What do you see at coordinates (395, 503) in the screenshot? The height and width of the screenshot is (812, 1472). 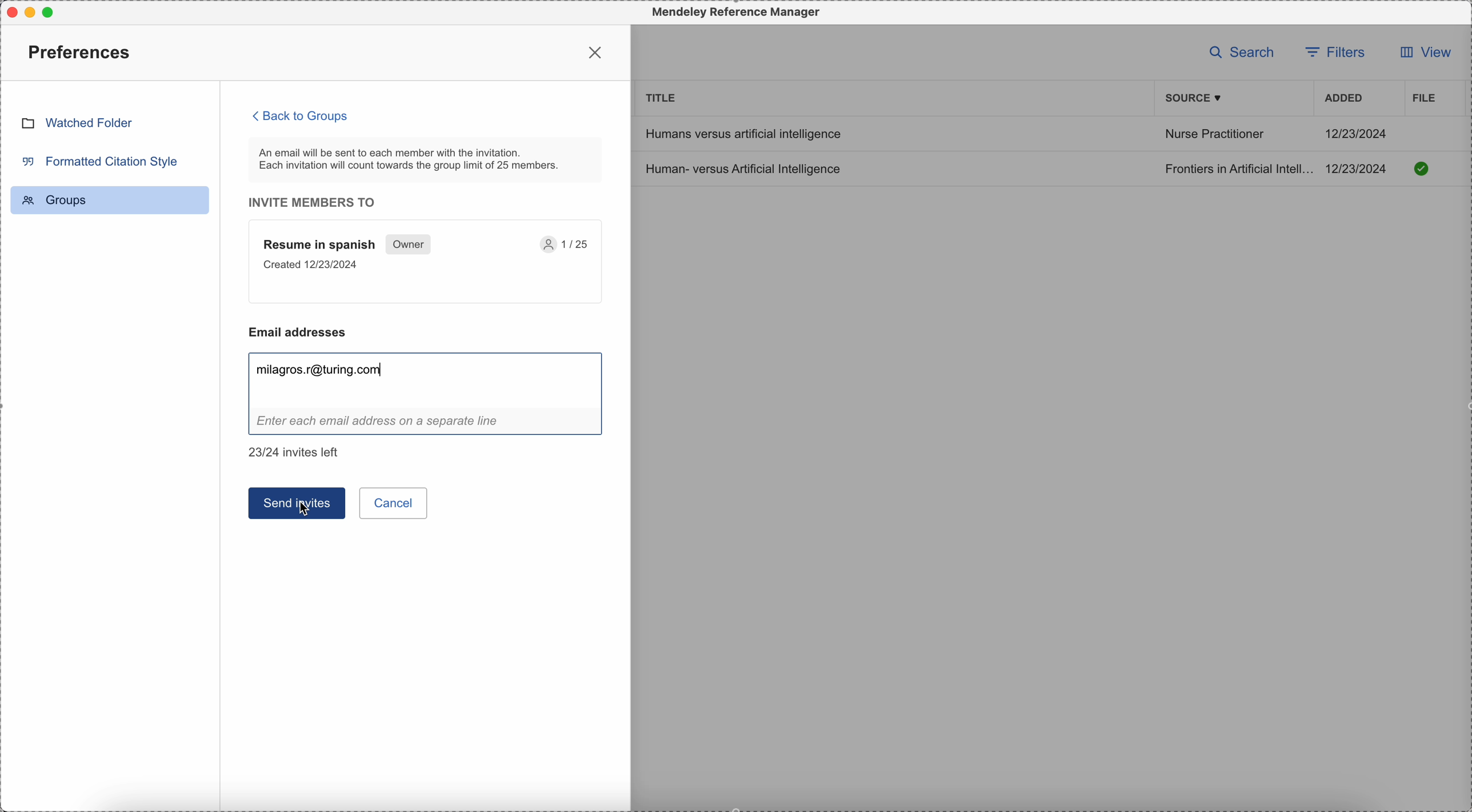 I see `cancel` at bounding box center [395, 503].